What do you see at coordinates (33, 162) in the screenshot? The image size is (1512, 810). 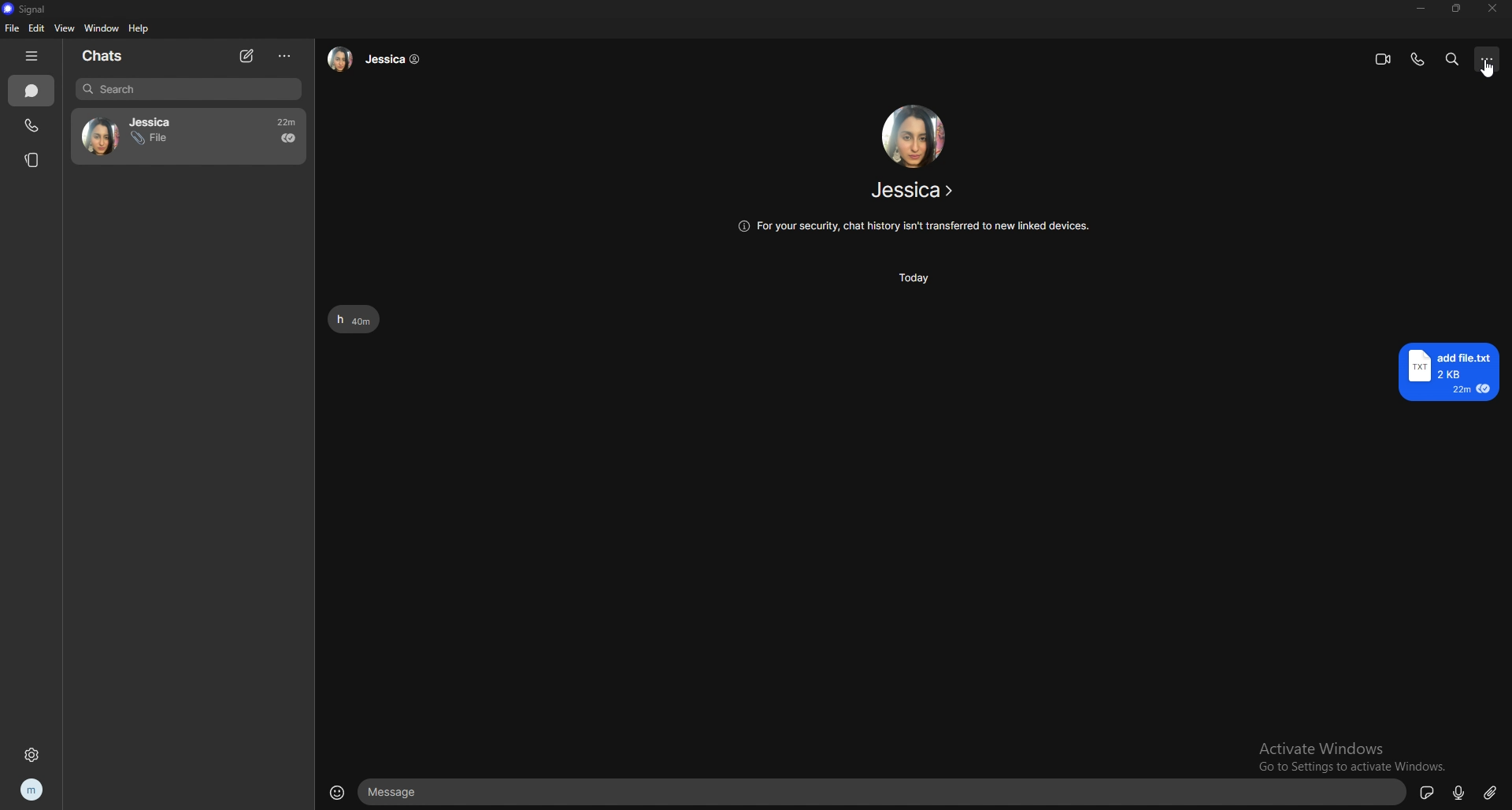 I see `stories` at bounding box center [33, 162].